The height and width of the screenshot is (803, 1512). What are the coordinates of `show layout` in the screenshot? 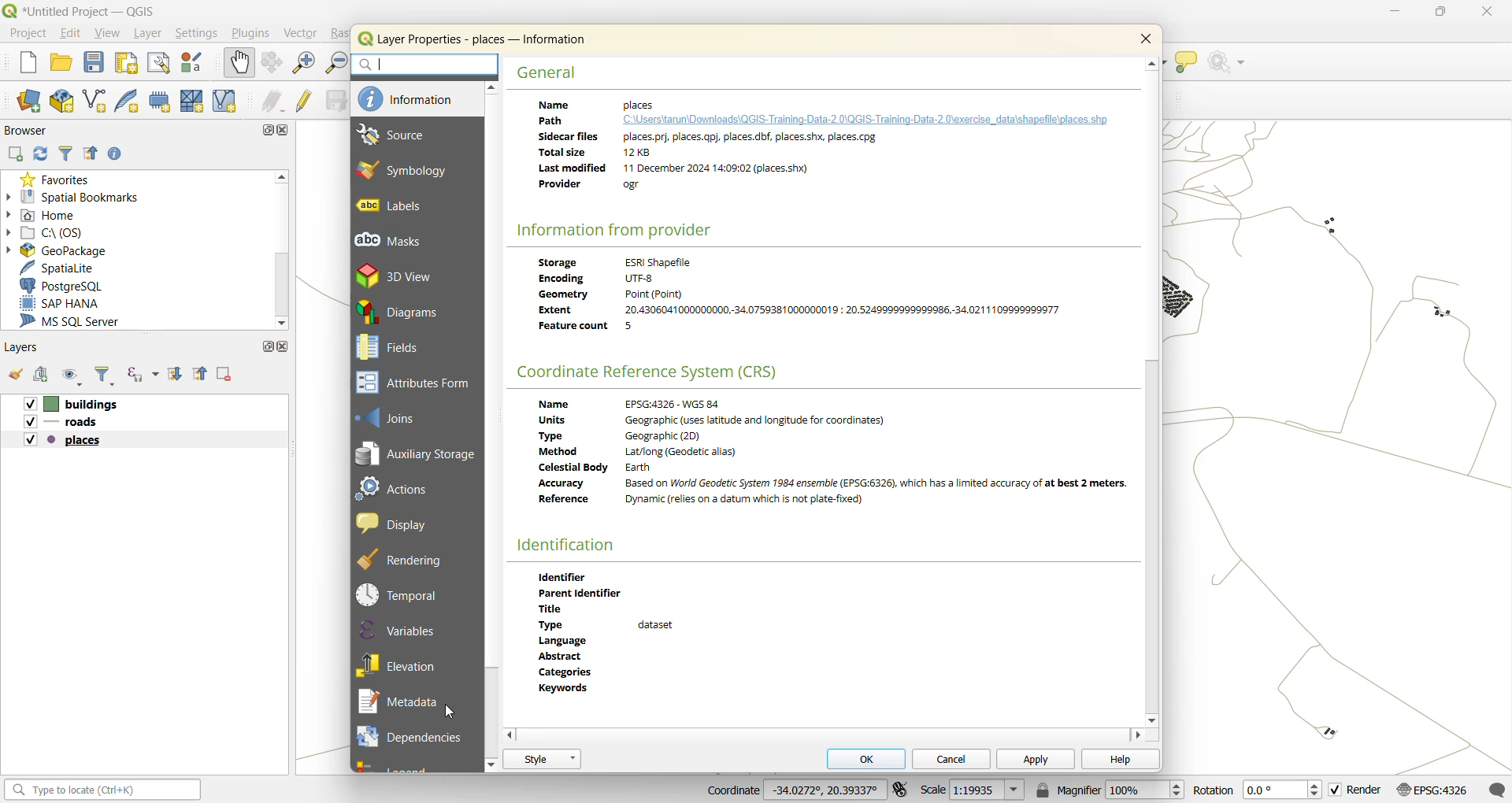 It's located at (161, 64).